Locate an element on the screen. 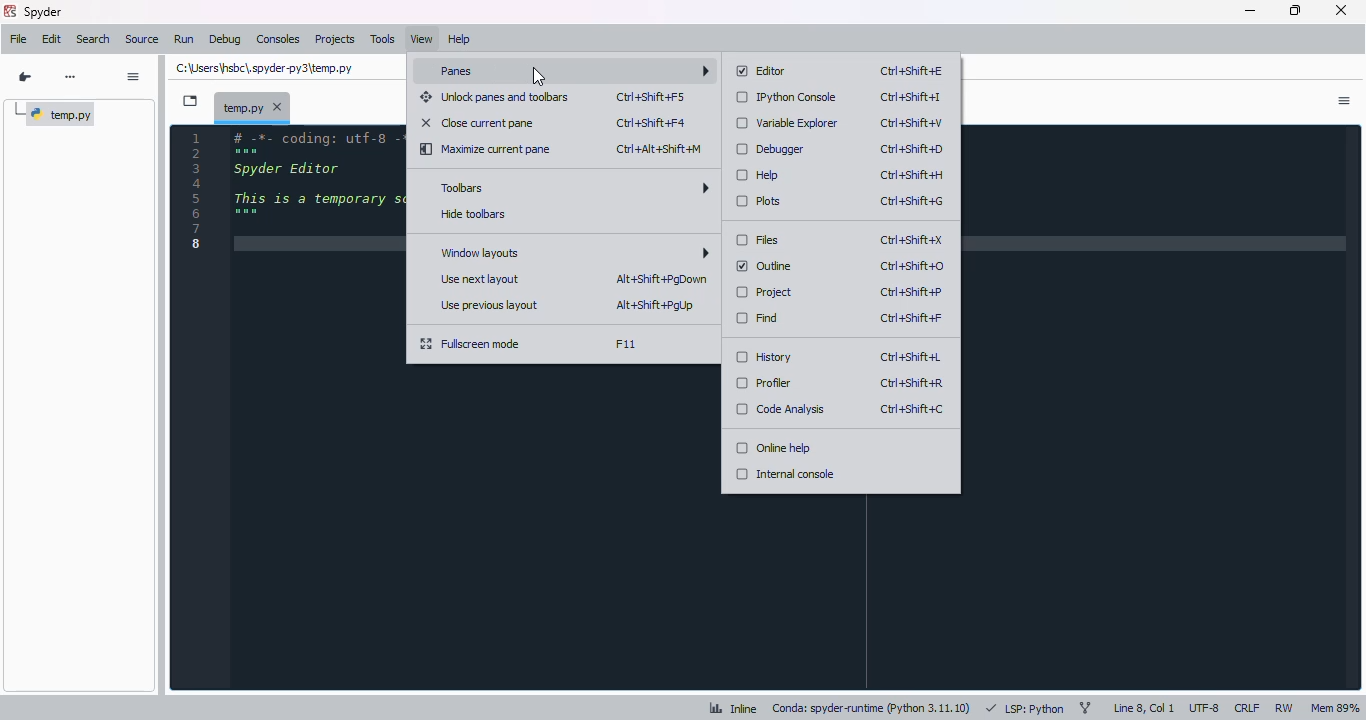  shortcut for unlock panes and toolbars is located at coordinates (651, 97).